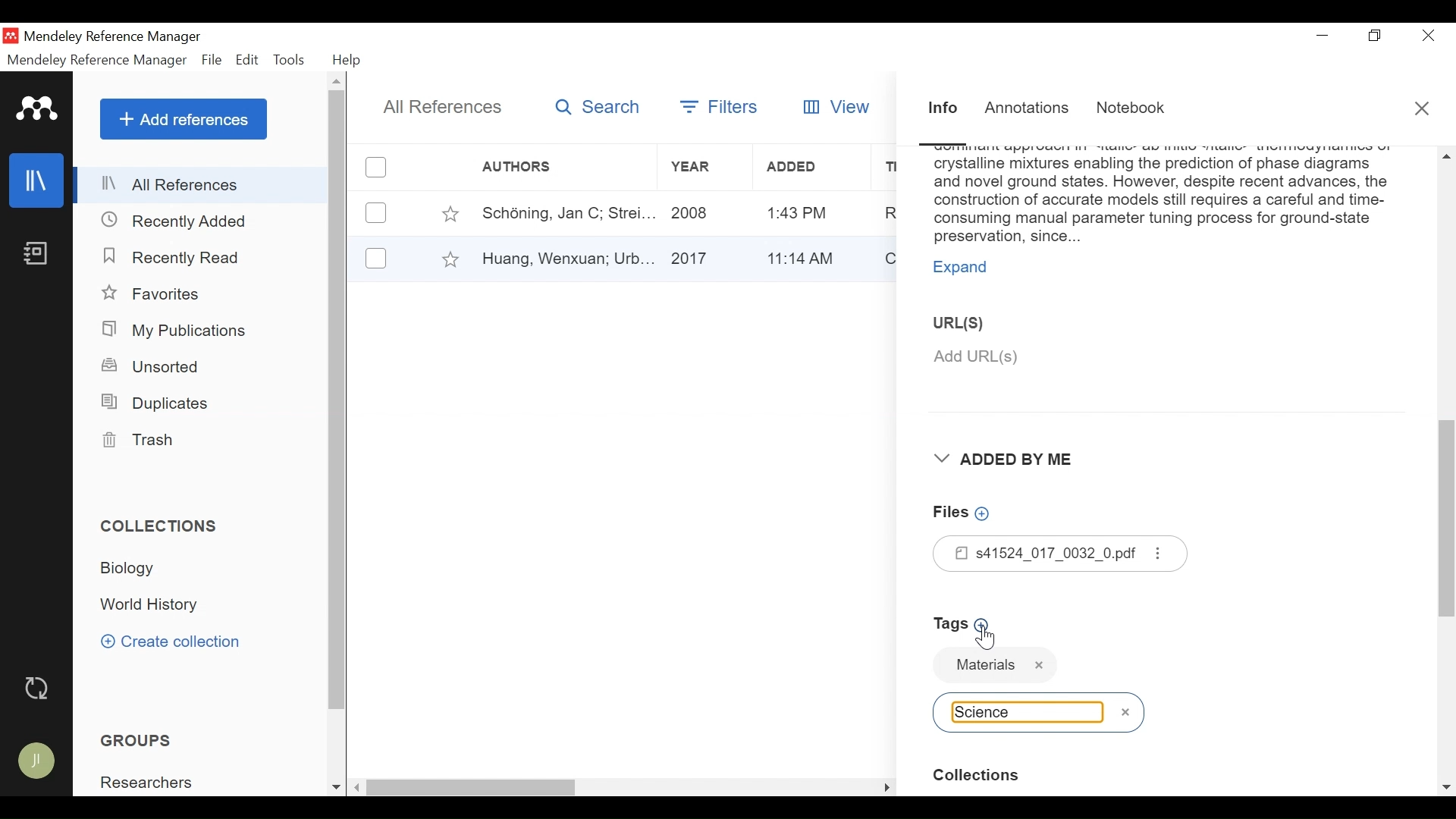  I want to click on Added By Me, so click(1013, 460).